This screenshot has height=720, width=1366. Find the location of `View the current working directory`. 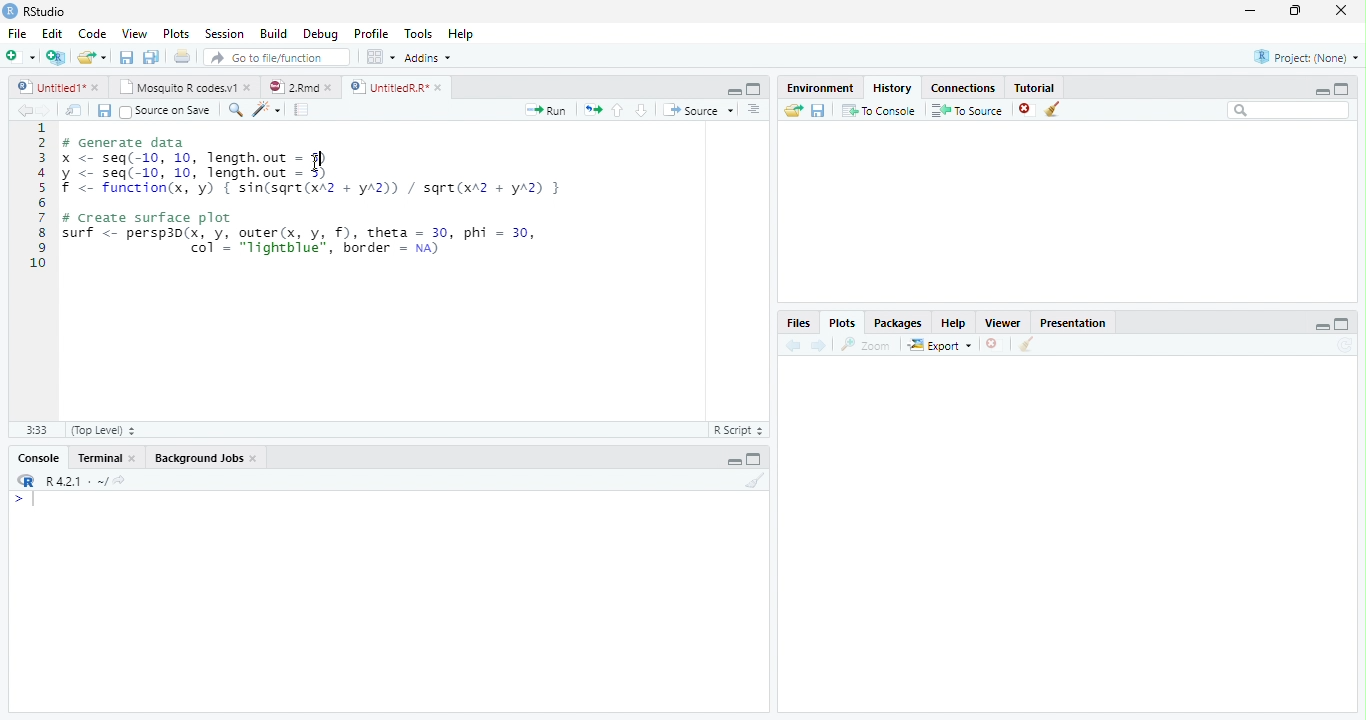

View the current working directory is located at coordinates (120, 478).